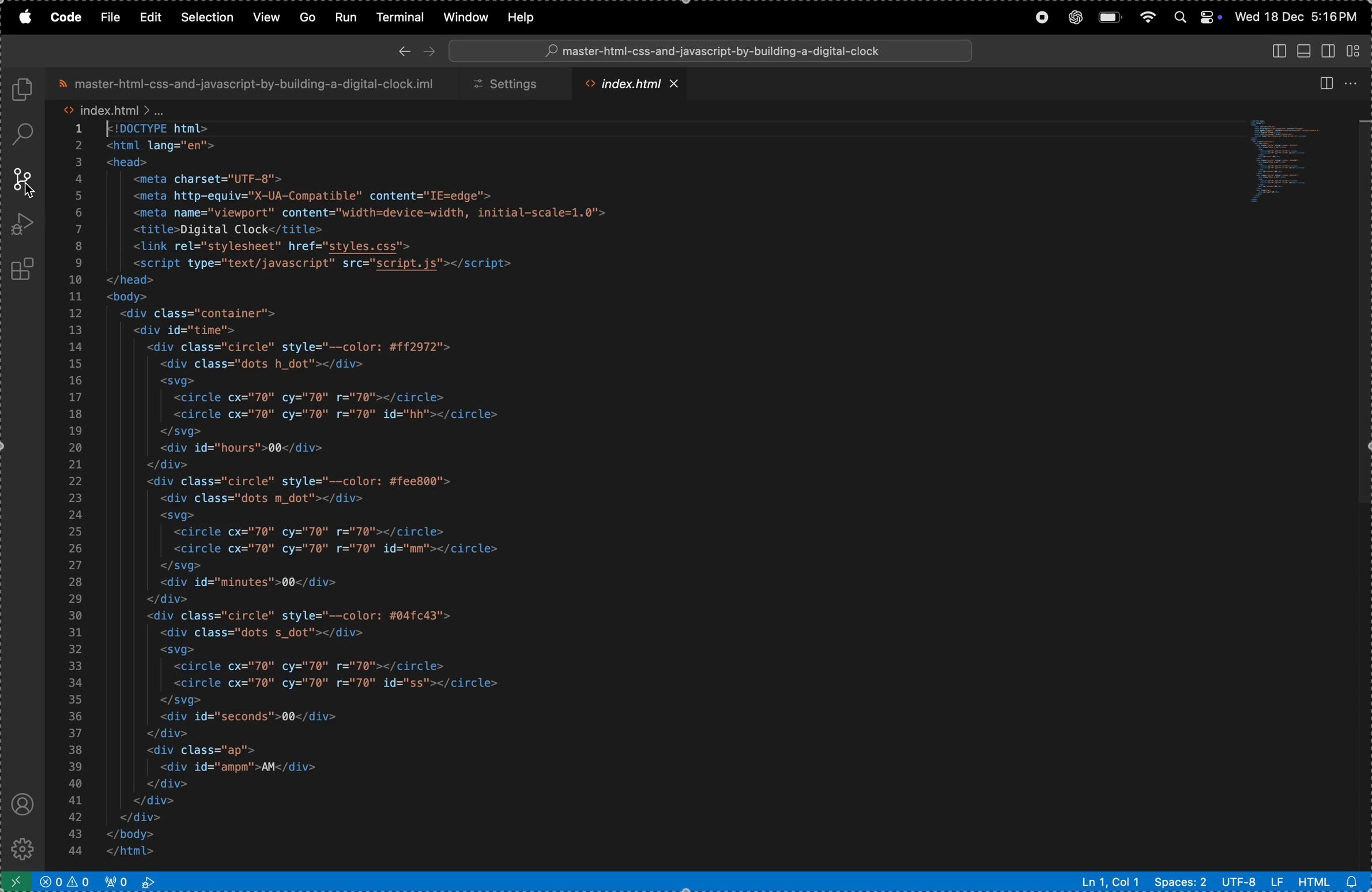  I want to click on search bar, so click(715, 51).